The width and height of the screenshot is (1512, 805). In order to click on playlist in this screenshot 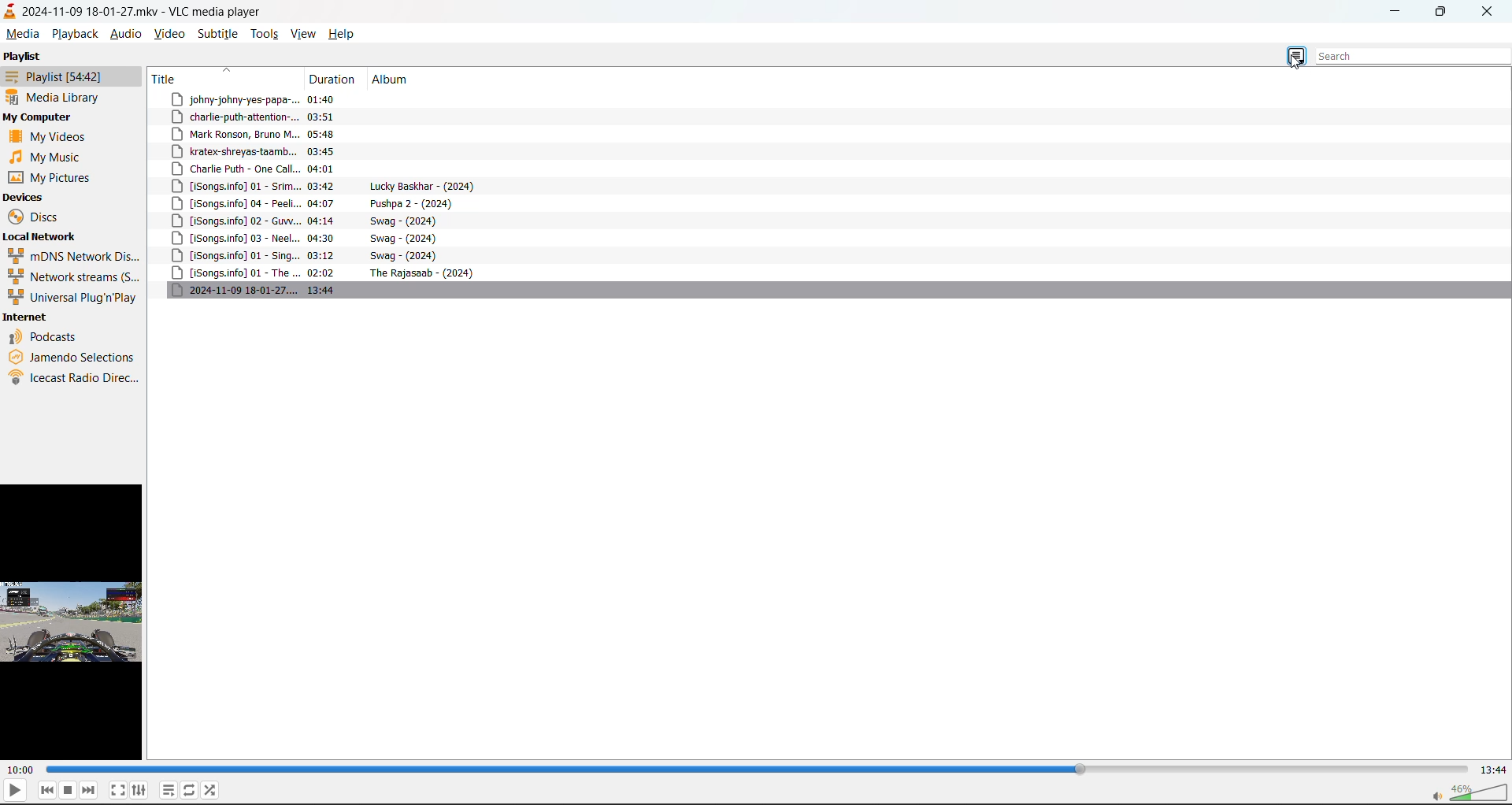, I will do `click(61, 76)`.